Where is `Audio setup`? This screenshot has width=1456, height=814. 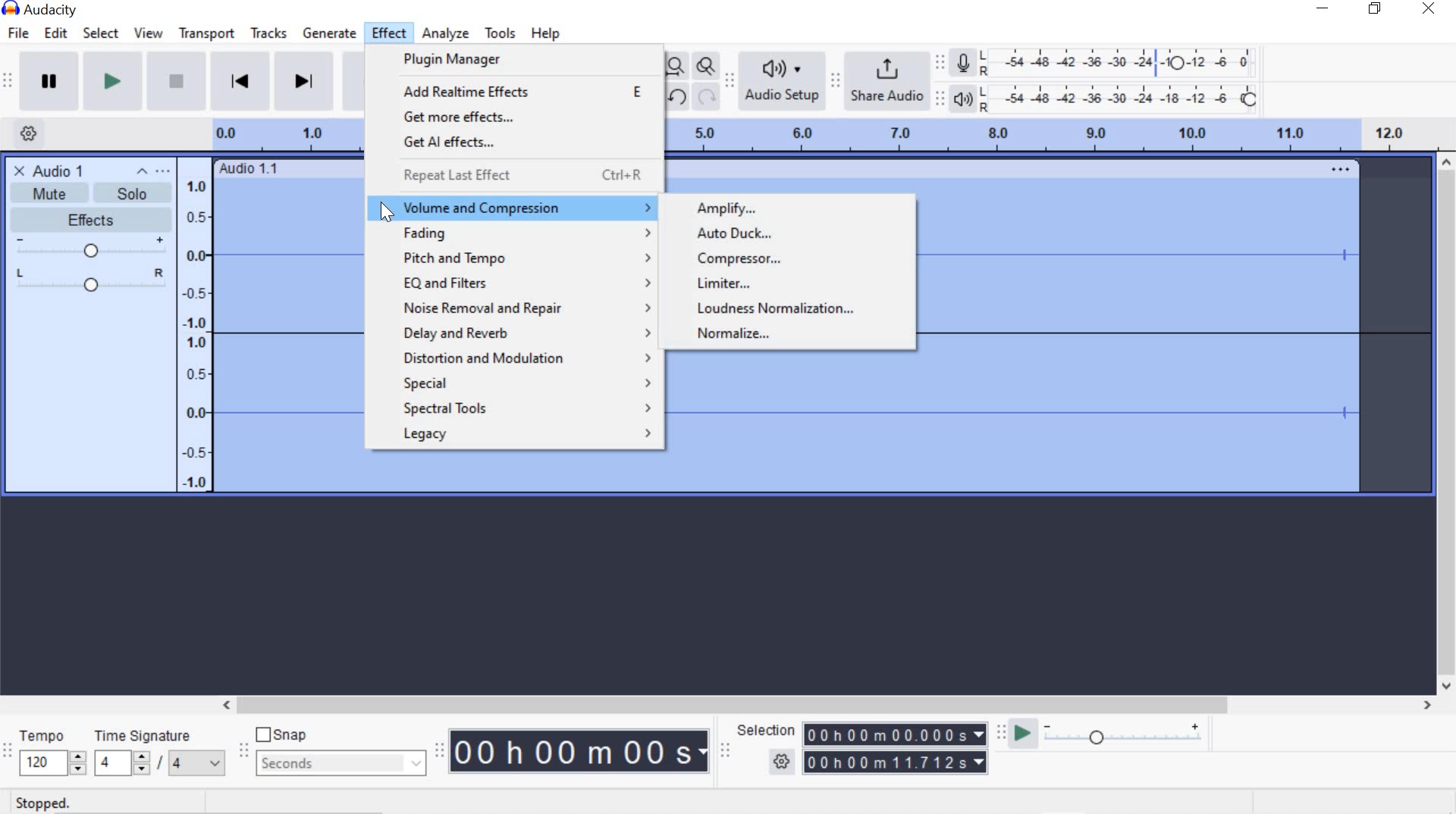 Audio setup is located at coordinates (782, 81).